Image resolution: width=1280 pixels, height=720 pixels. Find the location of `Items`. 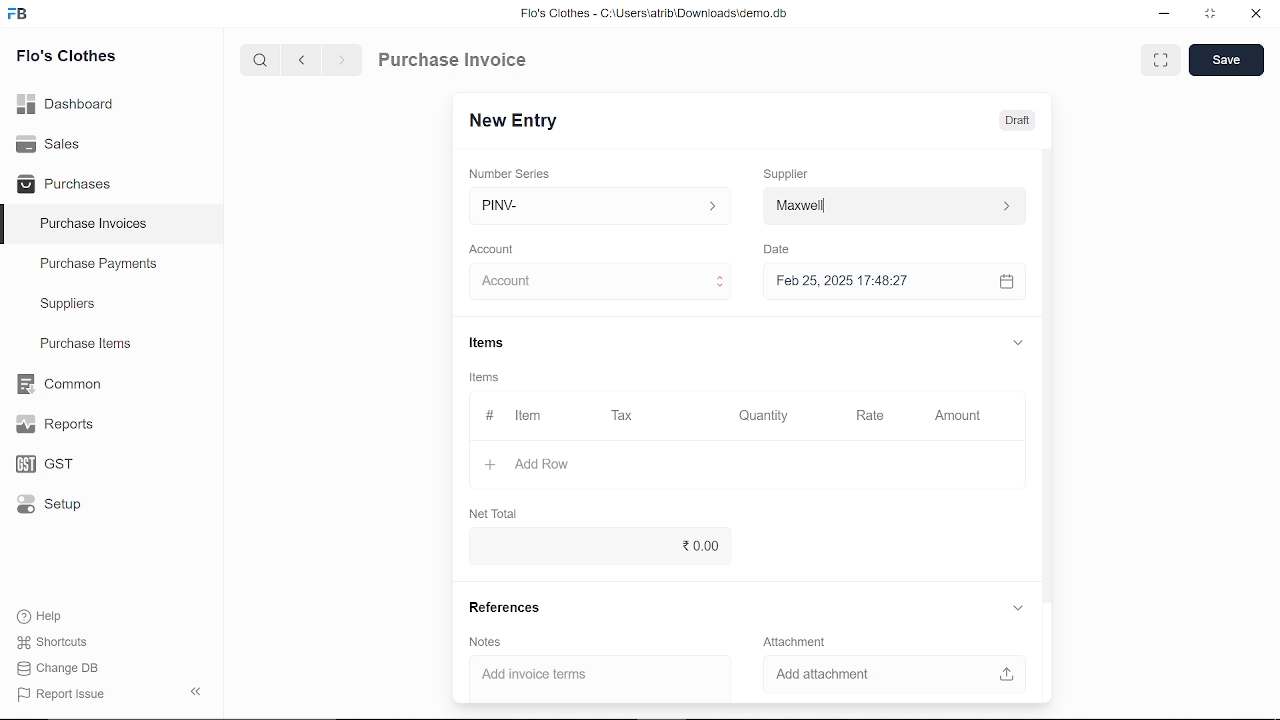

Items is located at coordinates (502, 343).